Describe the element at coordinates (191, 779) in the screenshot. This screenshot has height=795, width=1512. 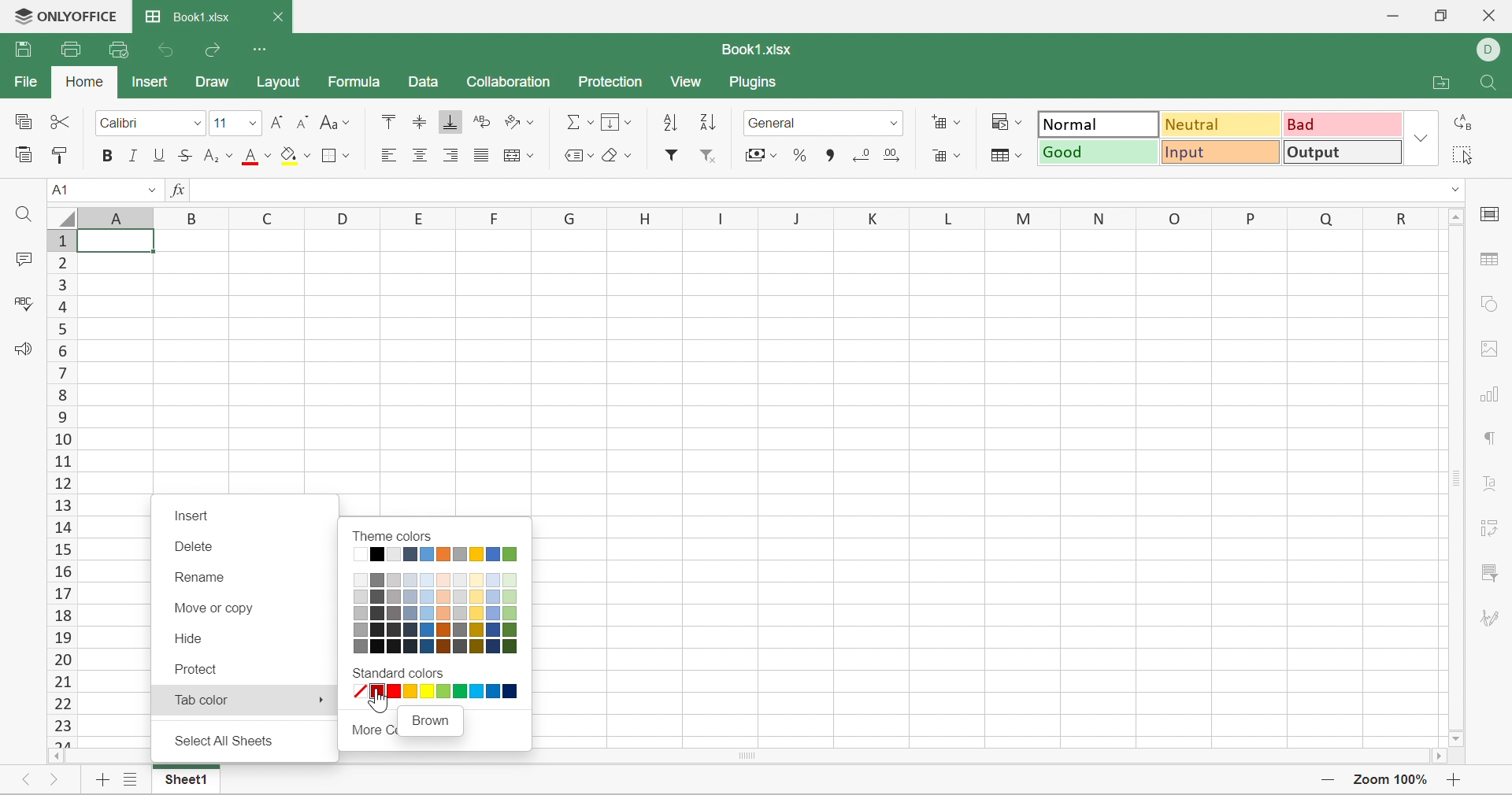
I see `Sheet1` at that location.